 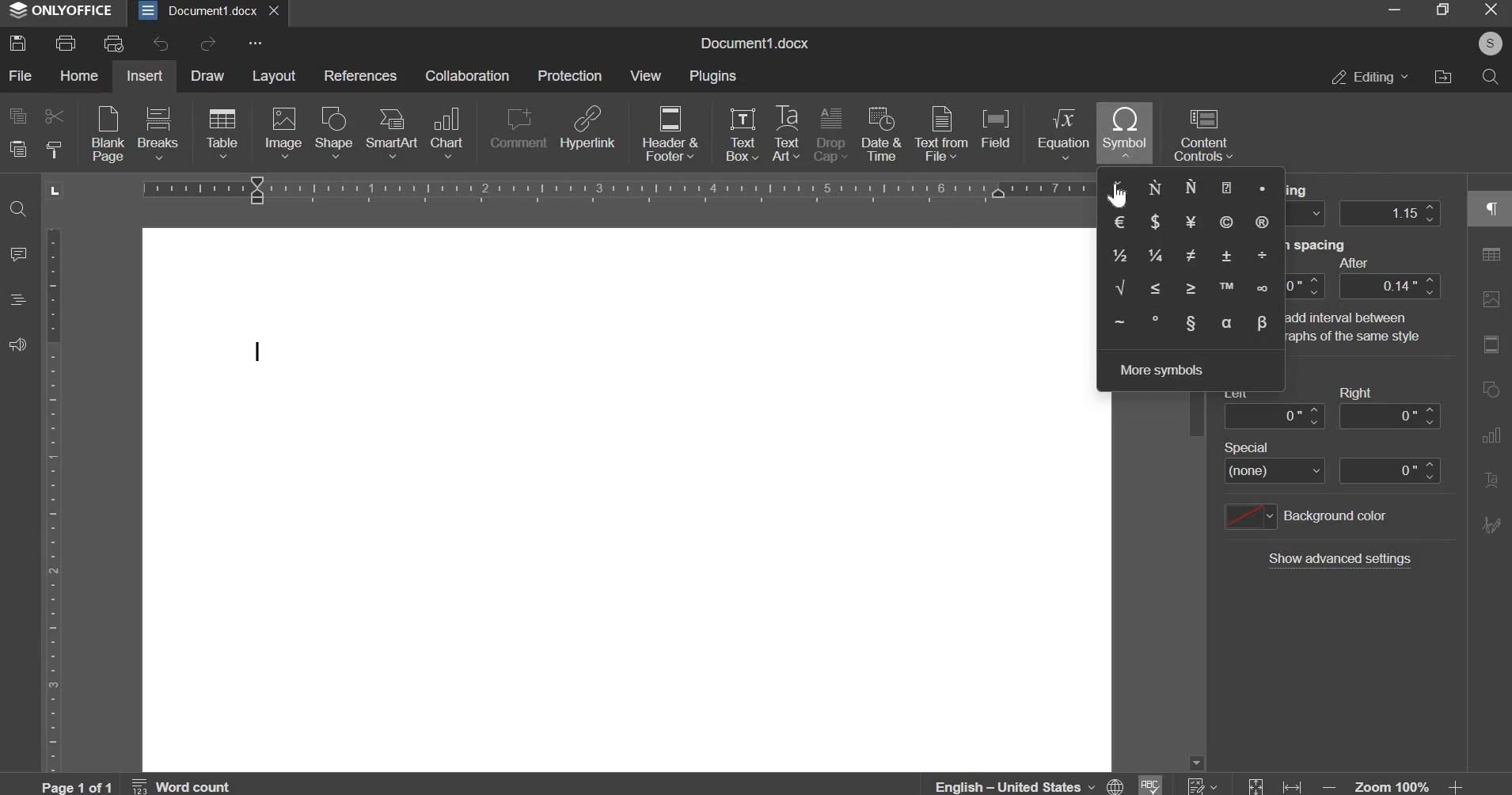 I want to click on field, so click(x=994, y=127).